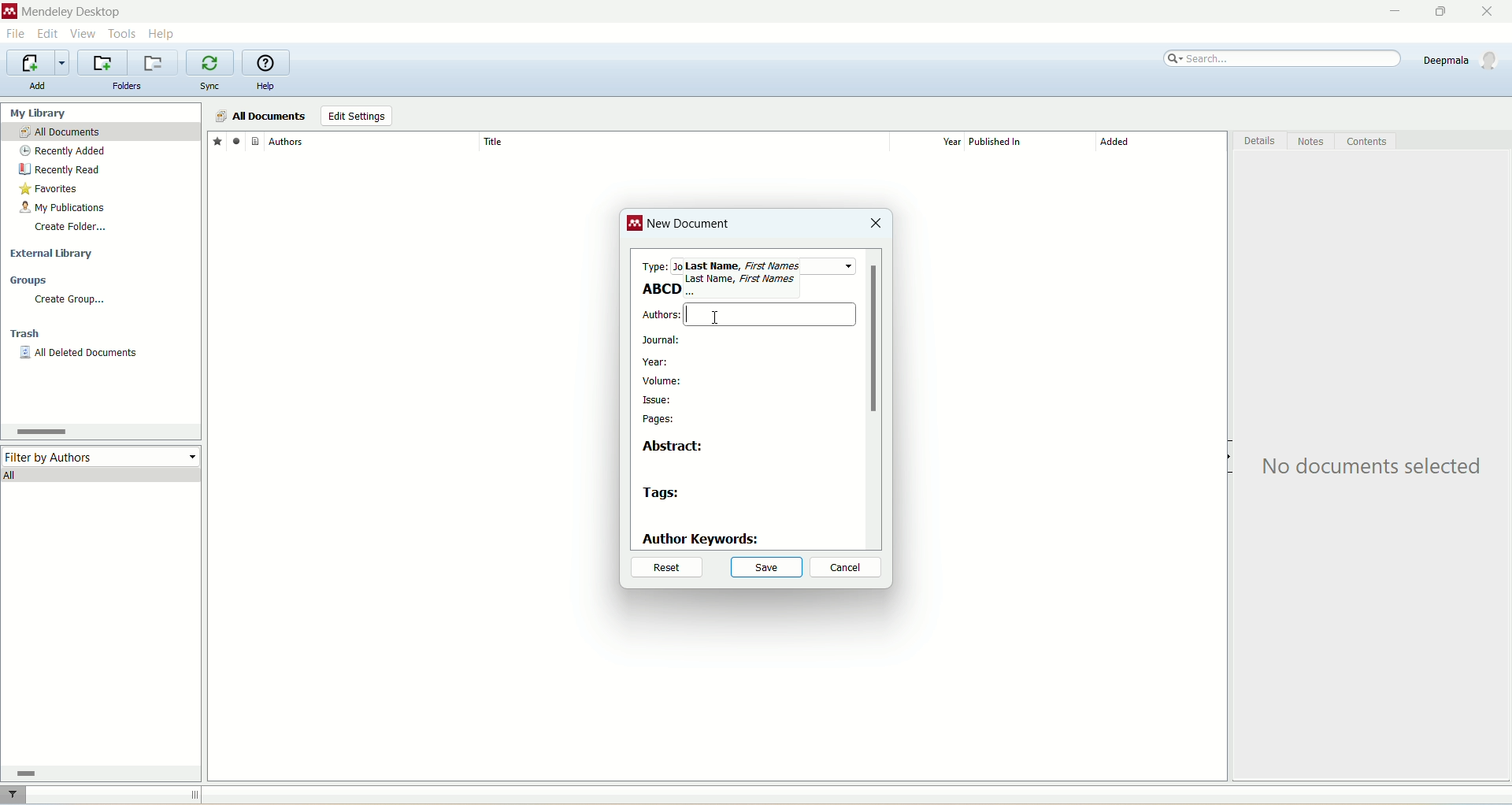  I want to click on sync, so click(212, 87).